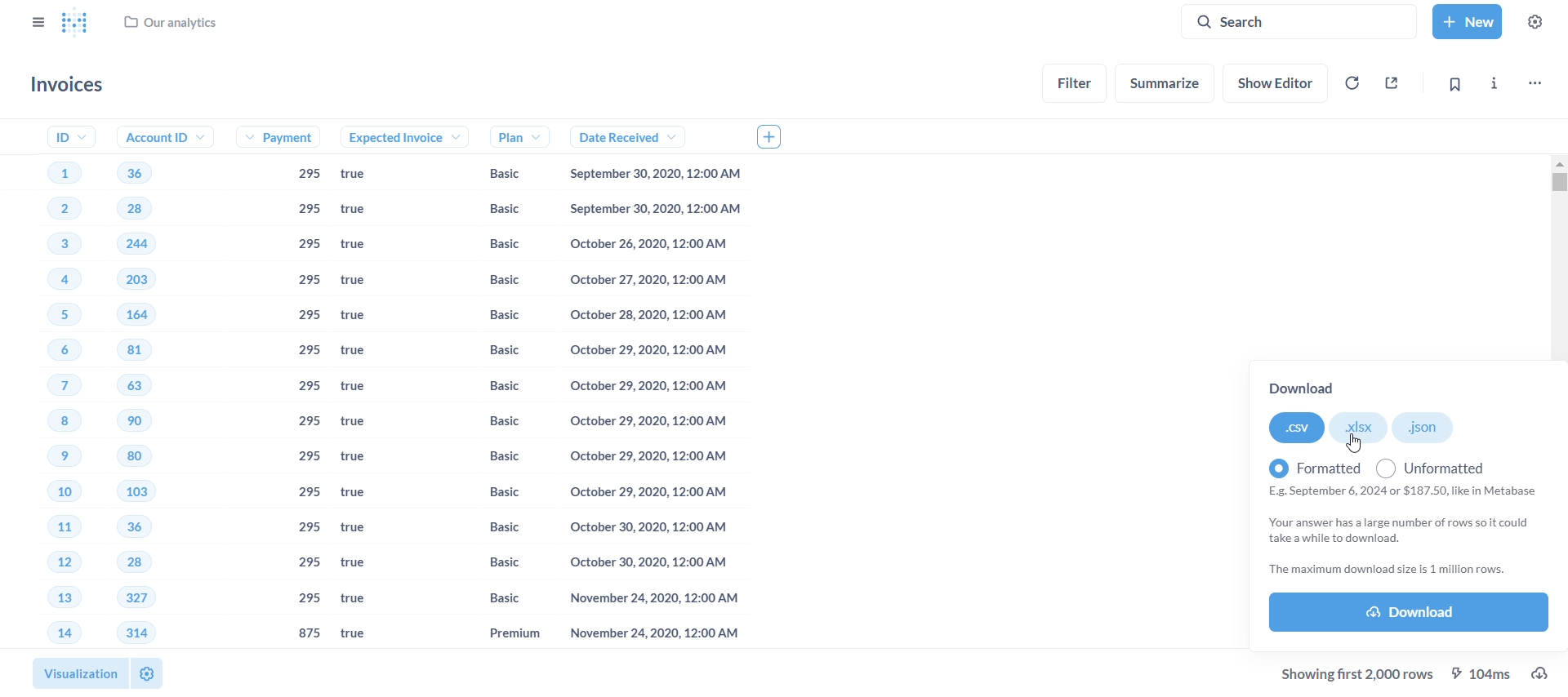  What do you see at coordinates (308, 599) in the screenshot?
I see `295` at bounding box center [308, 599].